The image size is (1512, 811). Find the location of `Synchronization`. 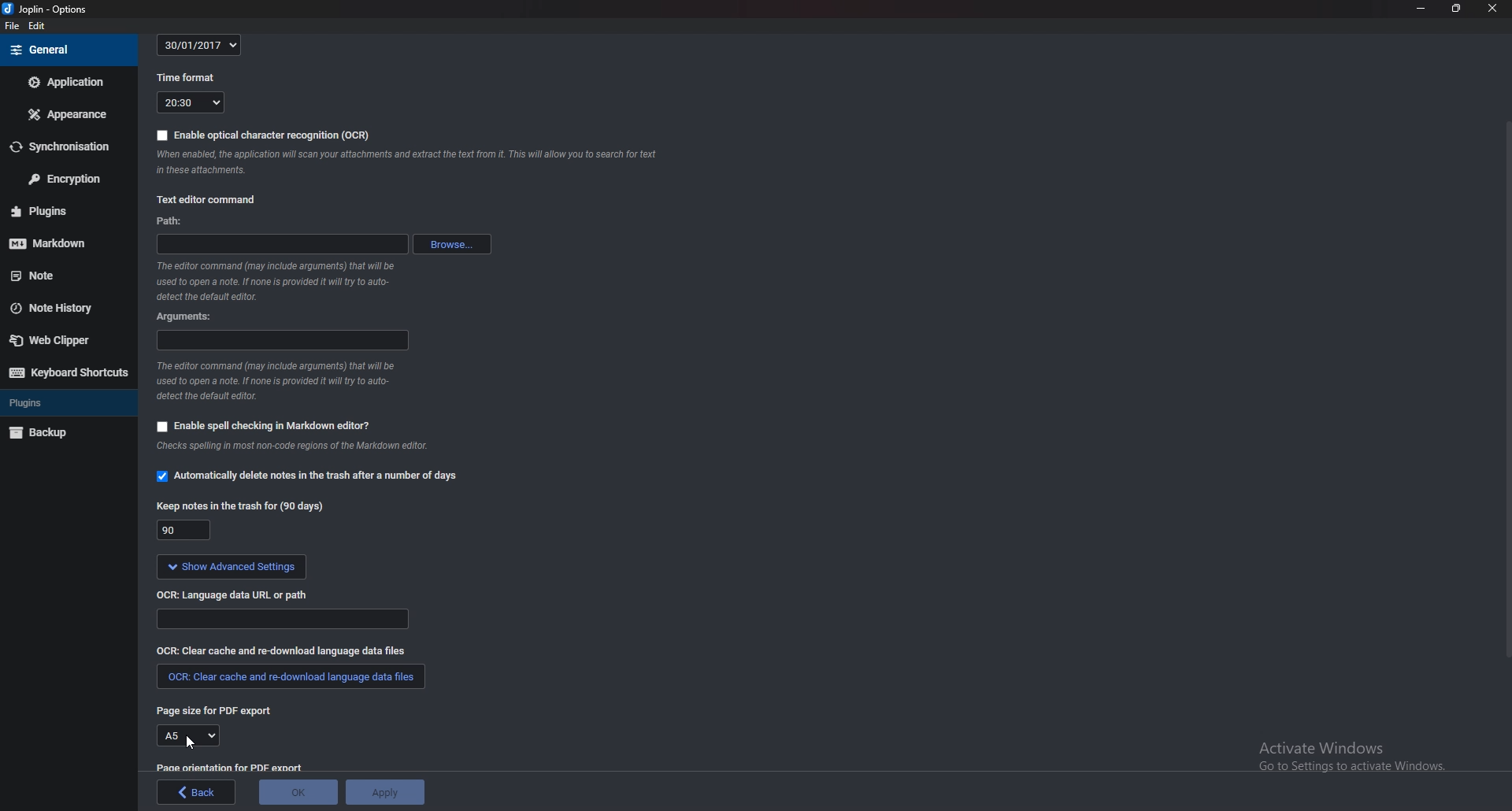

Synchronization is located at coordinates (66, 146).